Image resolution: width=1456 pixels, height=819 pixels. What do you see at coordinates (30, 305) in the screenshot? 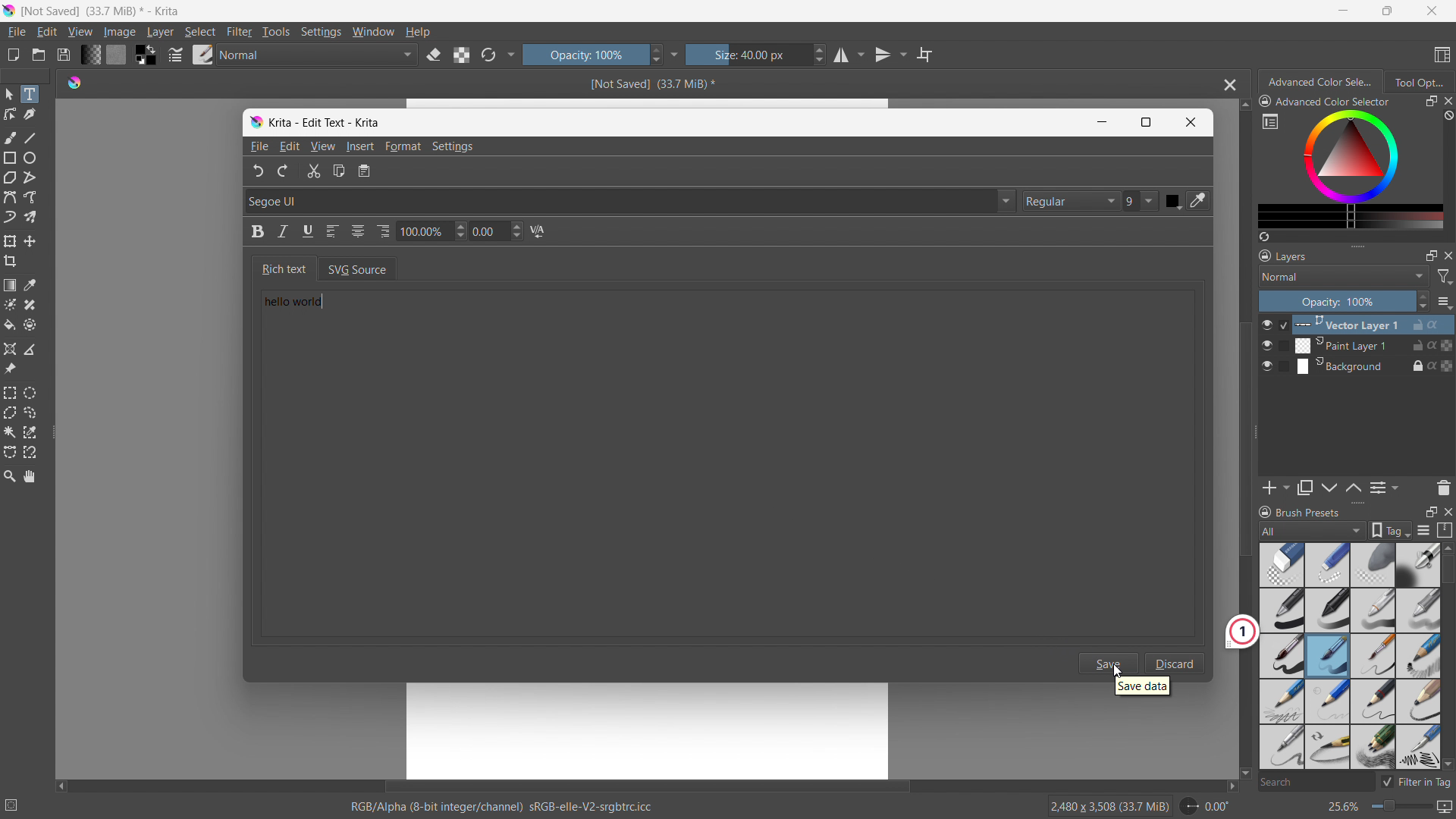
I see `smart patch tool` at bounding box center [30, 305].